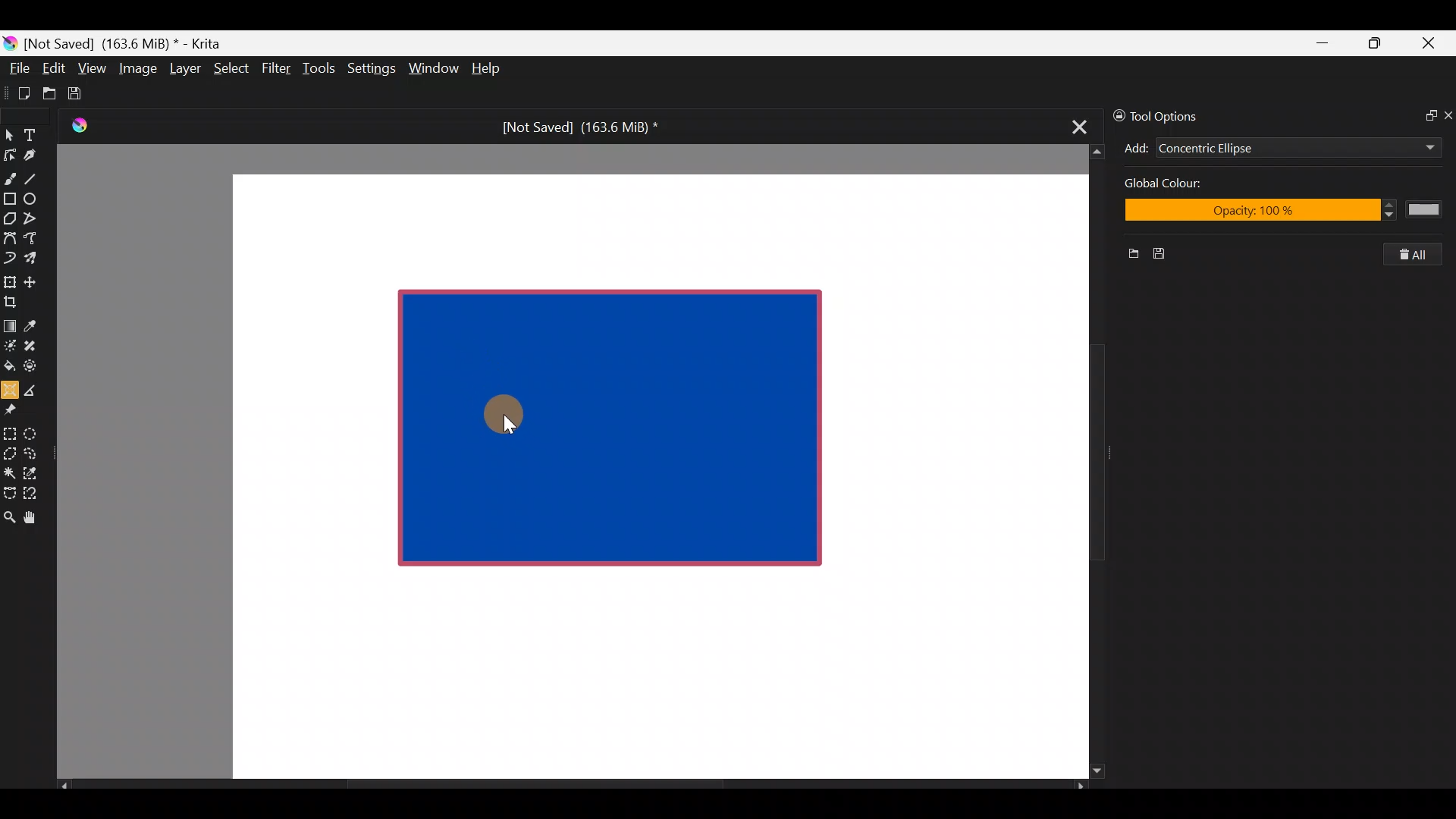 Image resolution: width=1456 pixels, height=819 pixels. I want to click on Opacity: 100%, so click(1279, 212).